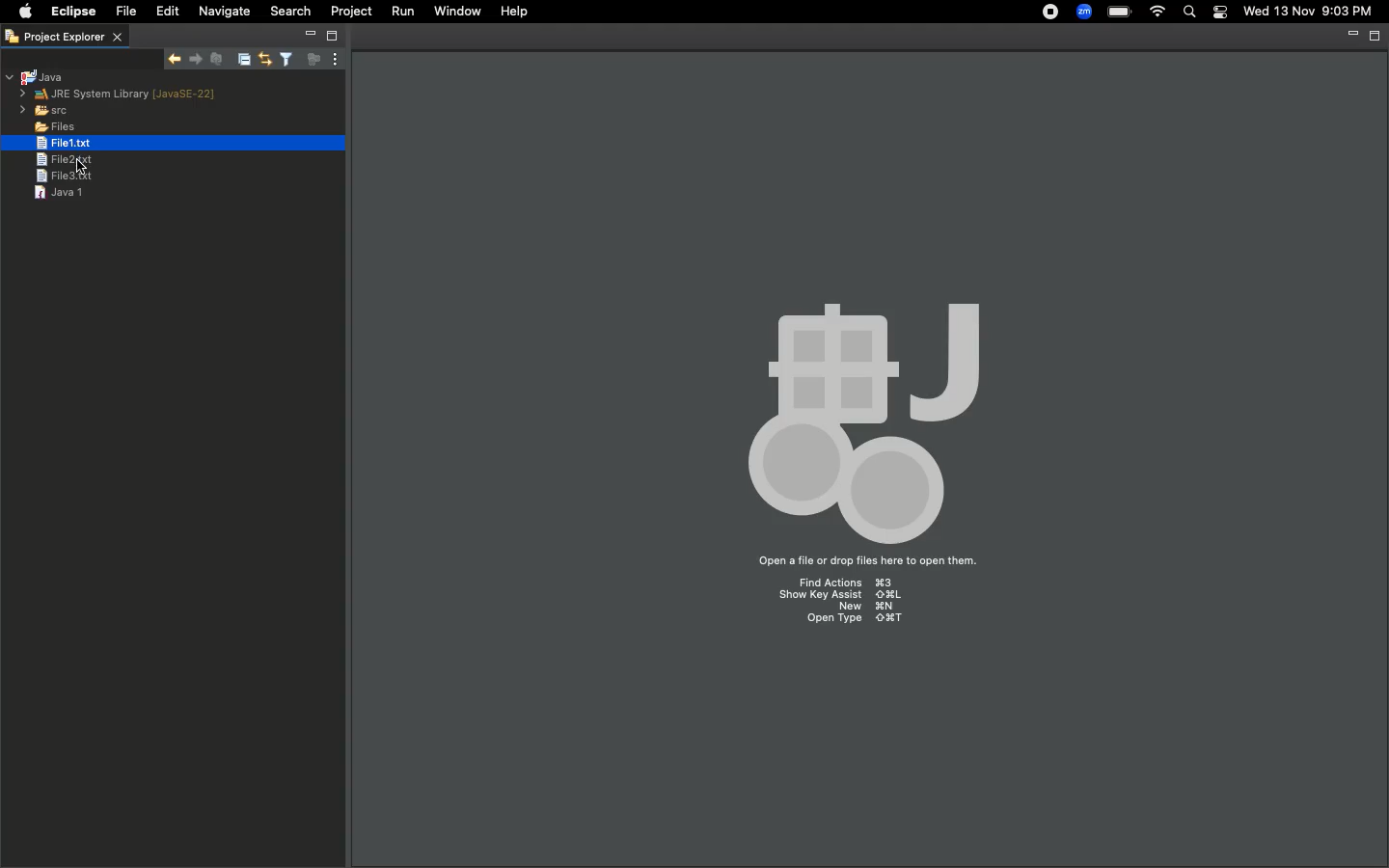 This screenshot has width=1389, height=868. What do you see at coordinates (164, 11) in the screenshot?
I see `Edit` at bounding box center [164, 11].